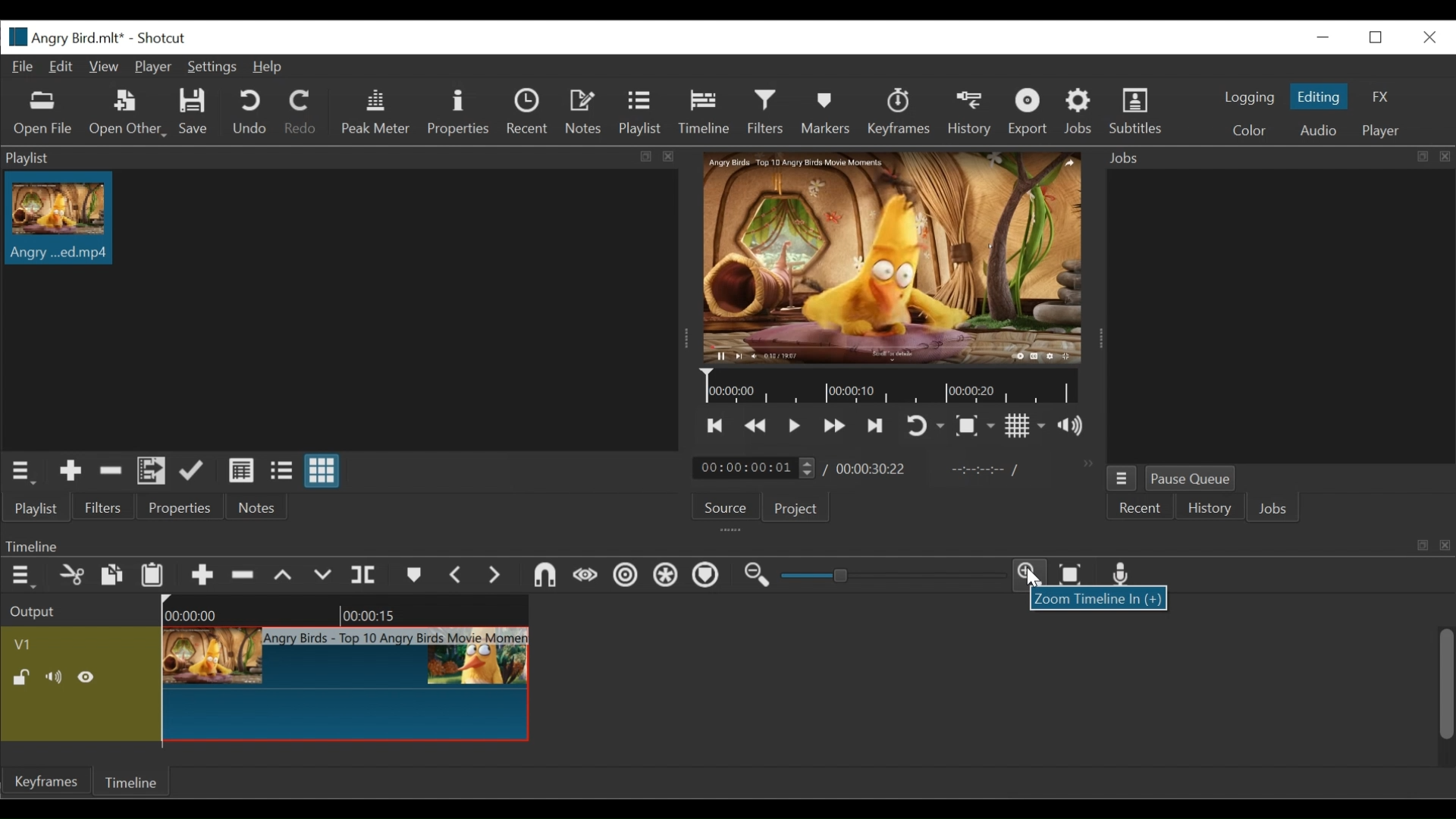 This screenshot has width=1456, height=819. Describe the element at coordinates (898, 112) in the screenshot. I see `keyframes` at that location.